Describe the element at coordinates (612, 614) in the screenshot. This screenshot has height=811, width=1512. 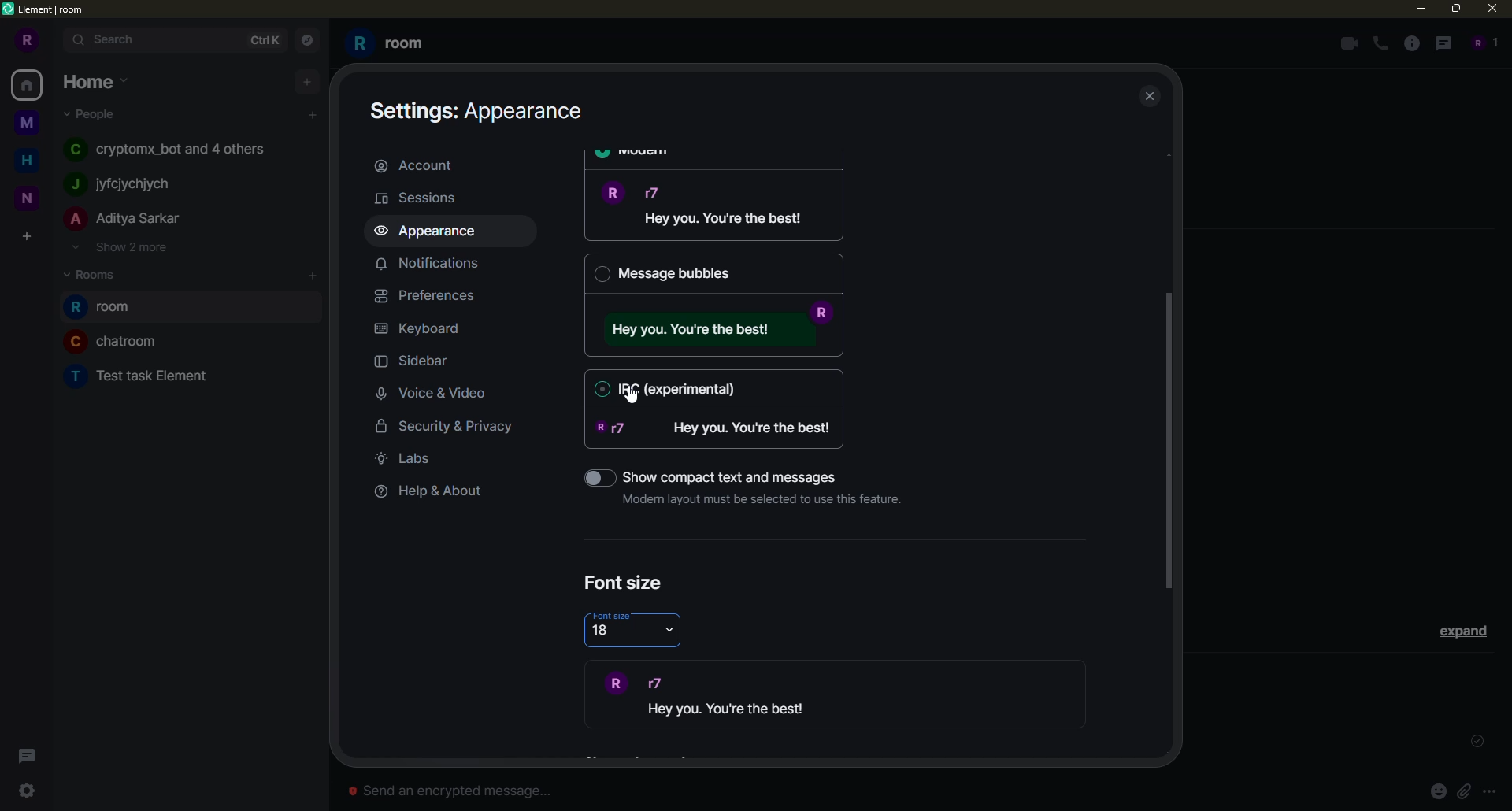
I see `font size` at that location.